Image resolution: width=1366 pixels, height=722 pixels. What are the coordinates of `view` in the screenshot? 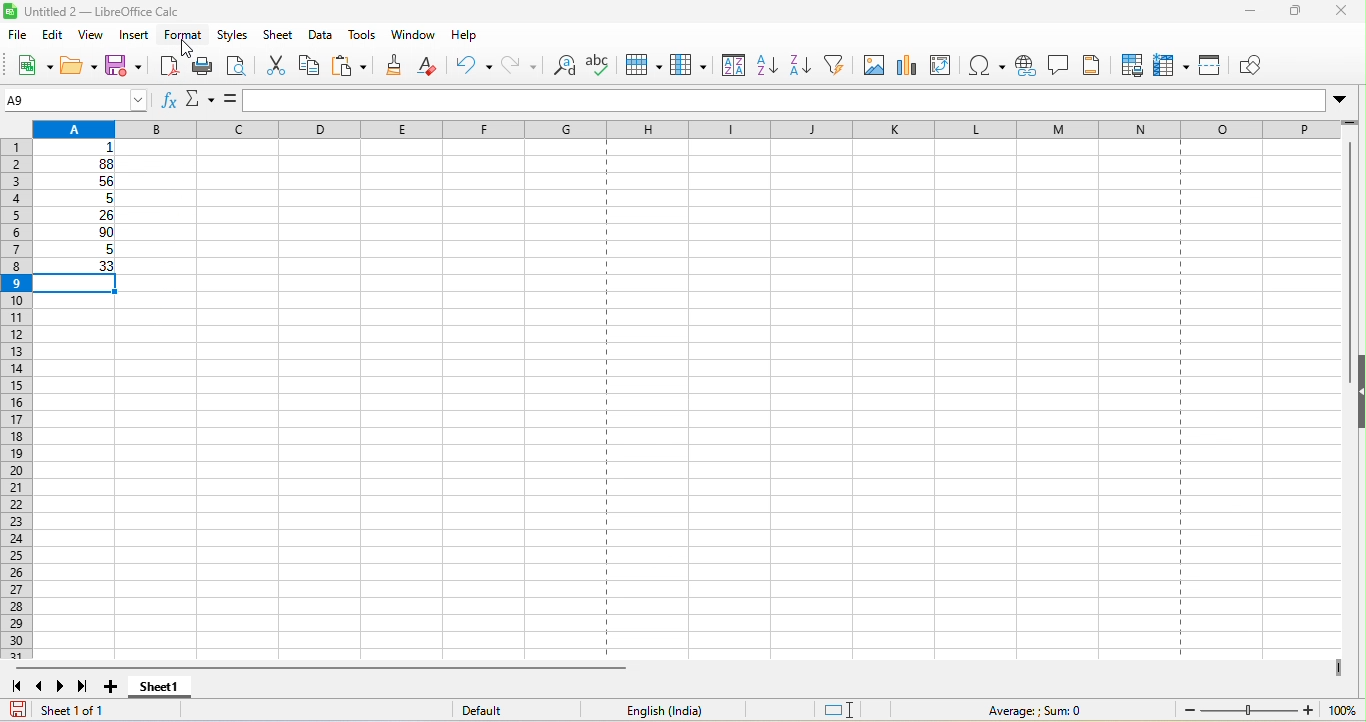 It's located at (96, 35).